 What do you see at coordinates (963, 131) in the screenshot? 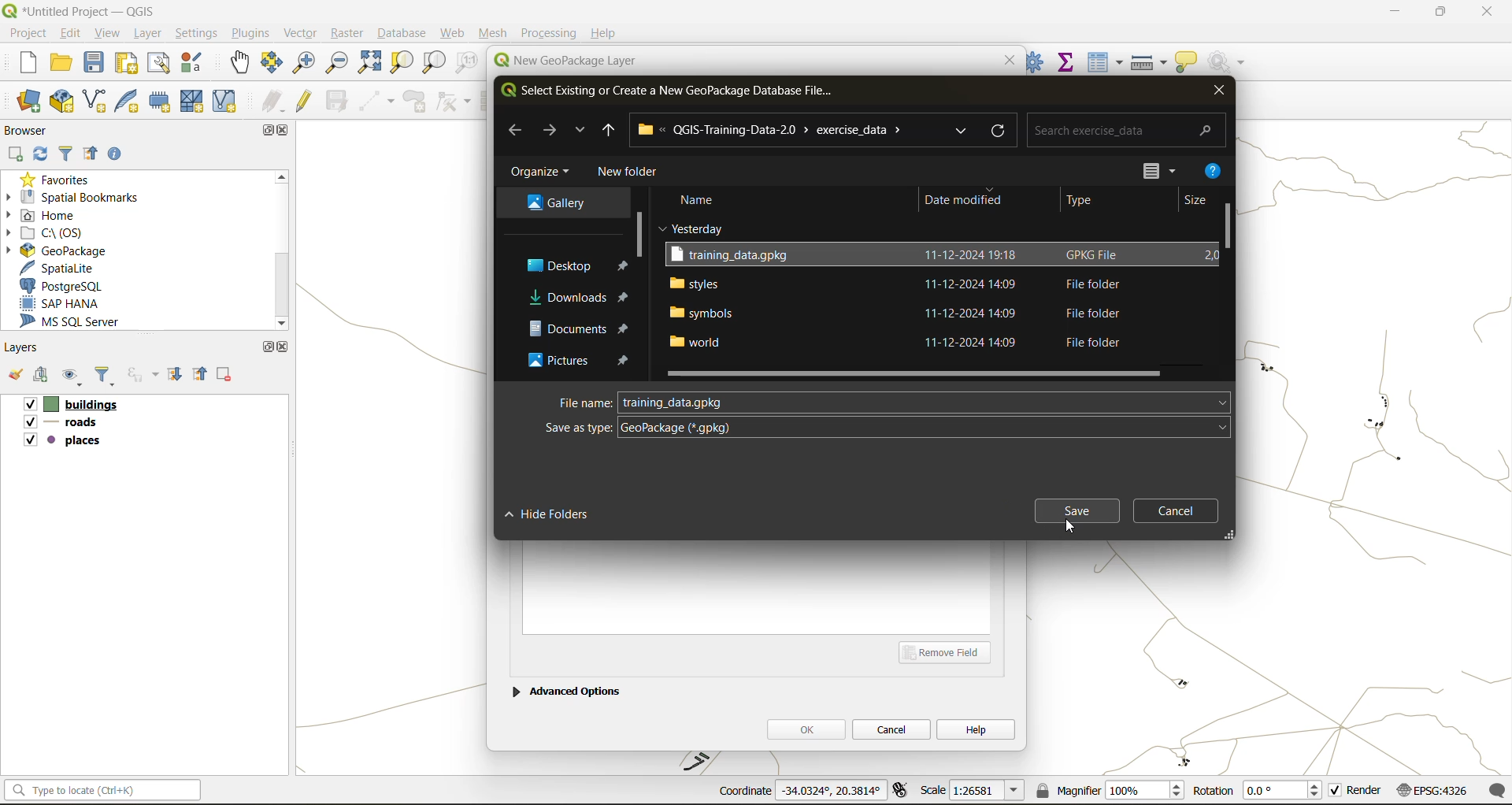
I see `explore` at bounding box center [963, 131].